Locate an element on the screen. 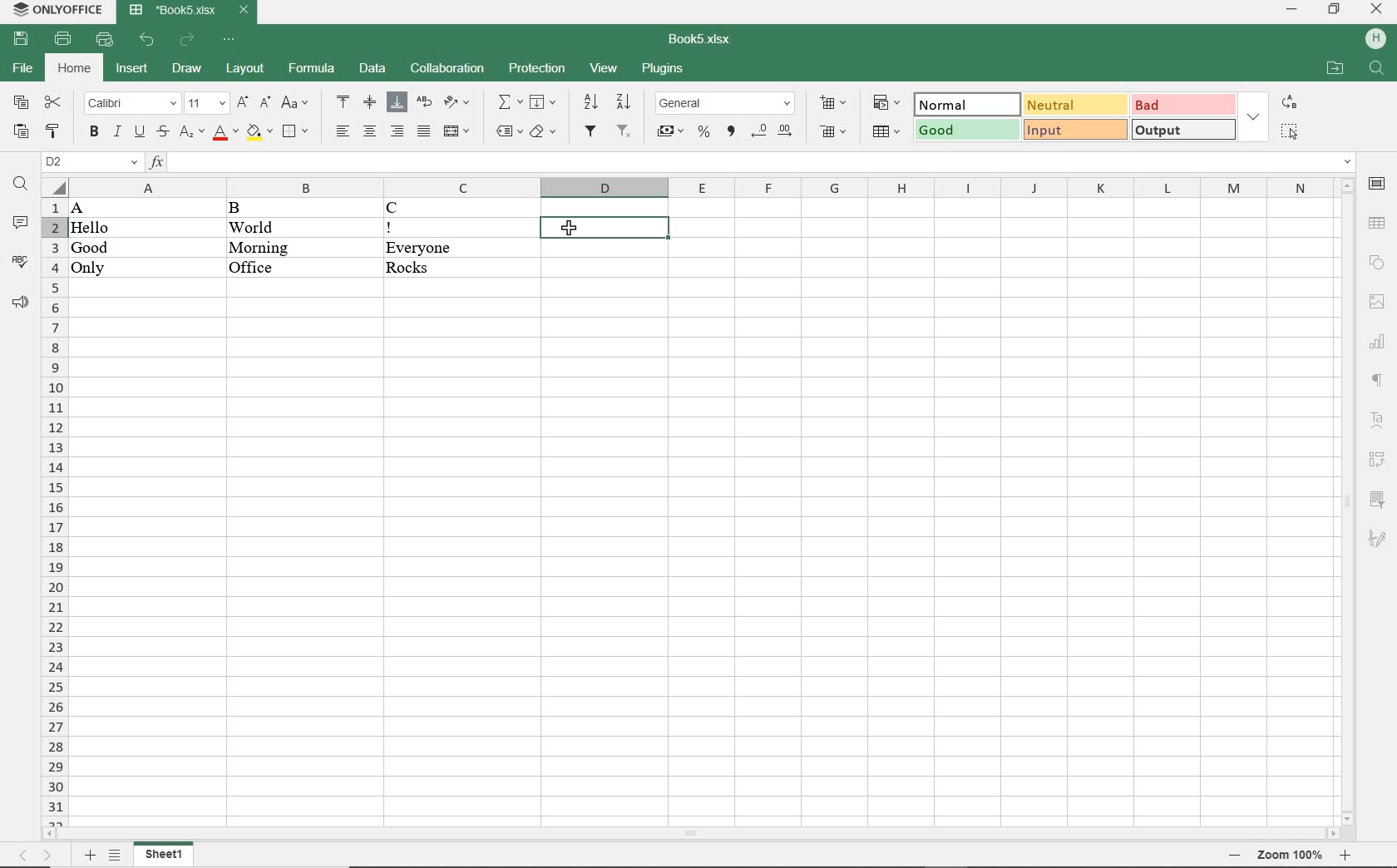 The width and height of the screenshot is (1397, 868). SELECT ALL is located at coordinates (1290, 132).